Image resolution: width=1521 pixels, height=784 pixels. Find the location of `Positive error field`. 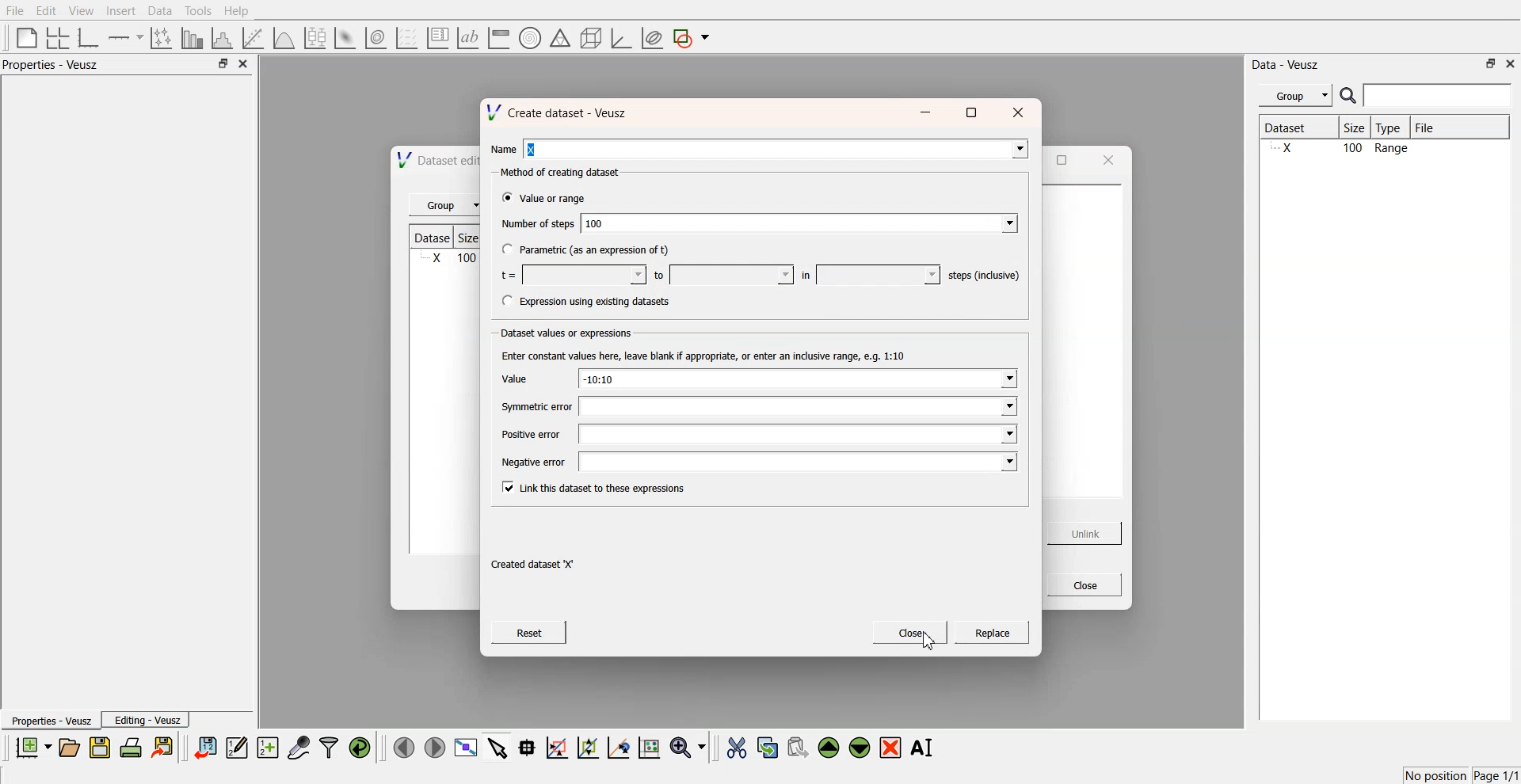

Positive error field is located at coordinates (799, 435).